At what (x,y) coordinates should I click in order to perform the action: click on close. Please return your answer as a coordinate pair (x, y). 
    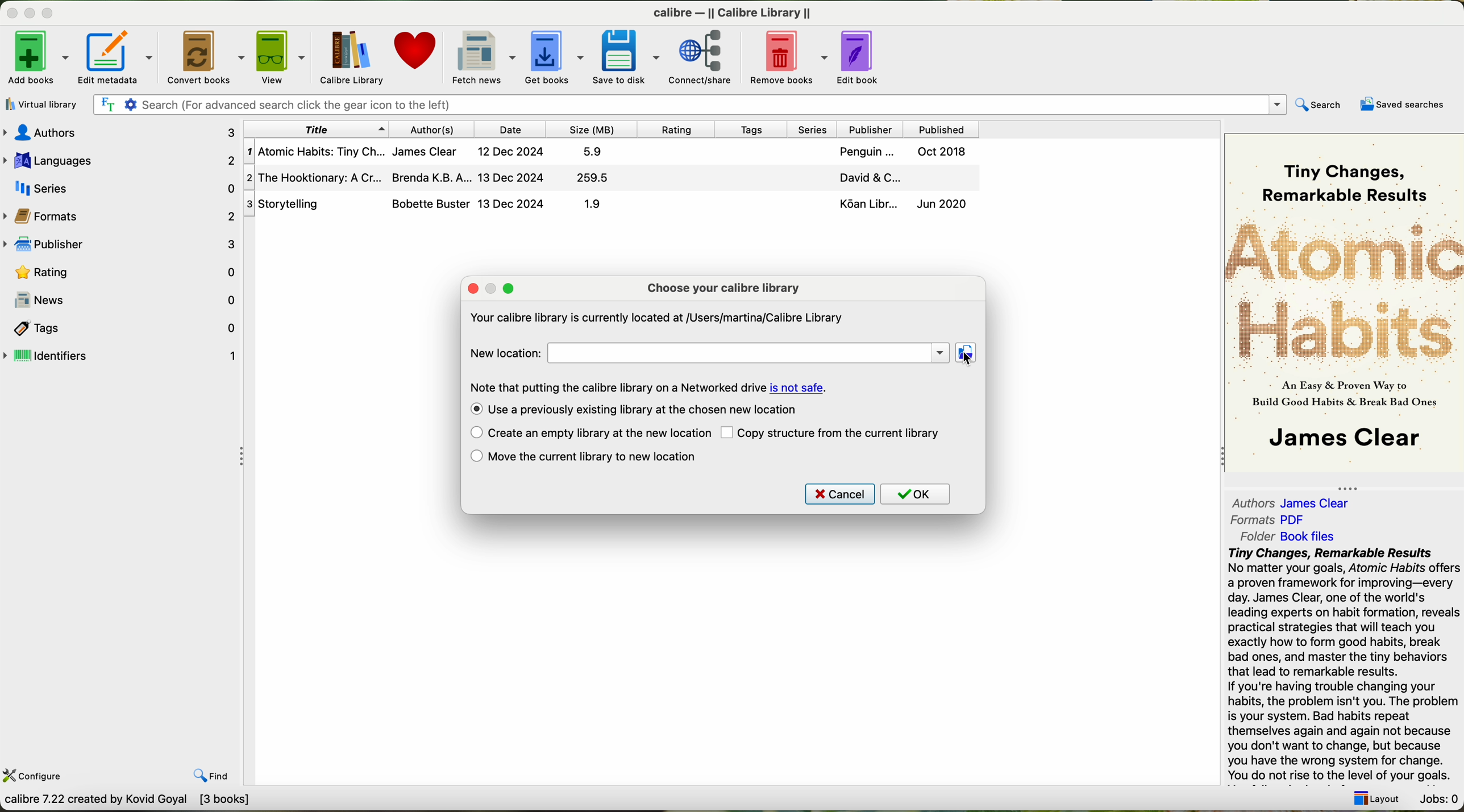
    Looking at the image, I should click on (472, 289).